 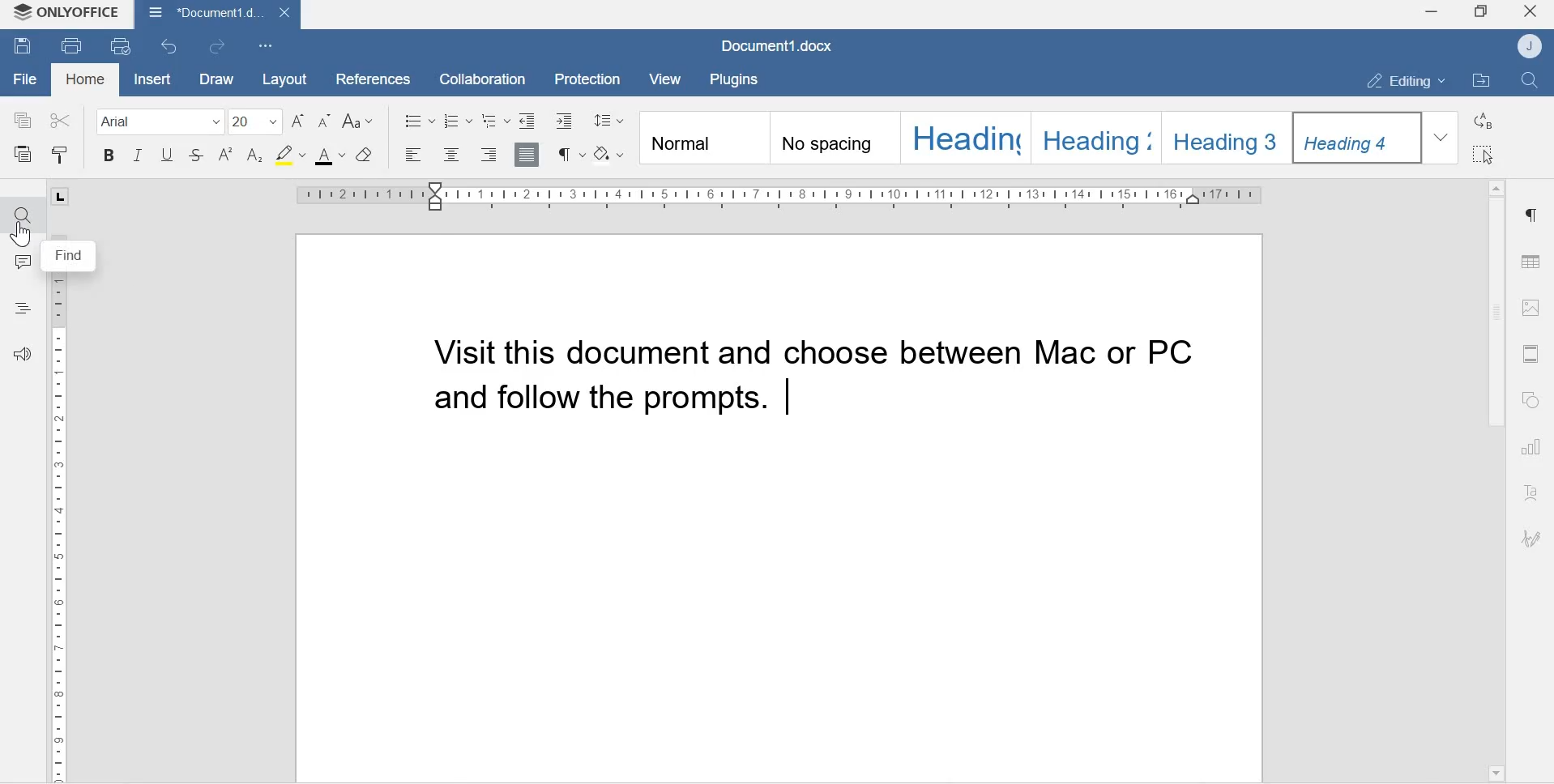 What do you see at coordinates (781, 195) in the screenshot?
I see `Scale` at bounding box center [781, 195].